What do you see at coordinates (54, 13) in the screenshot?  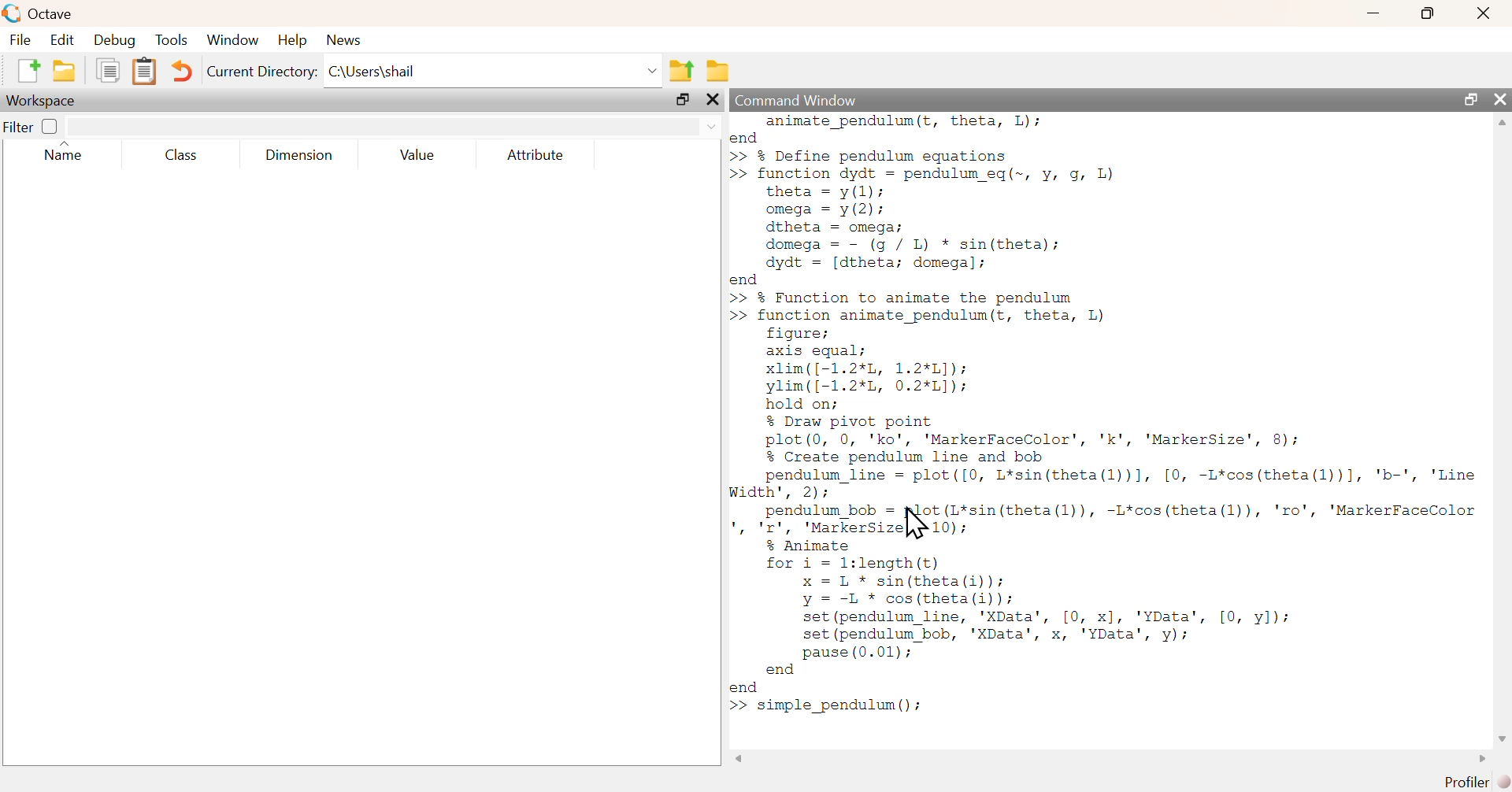 I see `Octave` at bounding box center [54, 13].